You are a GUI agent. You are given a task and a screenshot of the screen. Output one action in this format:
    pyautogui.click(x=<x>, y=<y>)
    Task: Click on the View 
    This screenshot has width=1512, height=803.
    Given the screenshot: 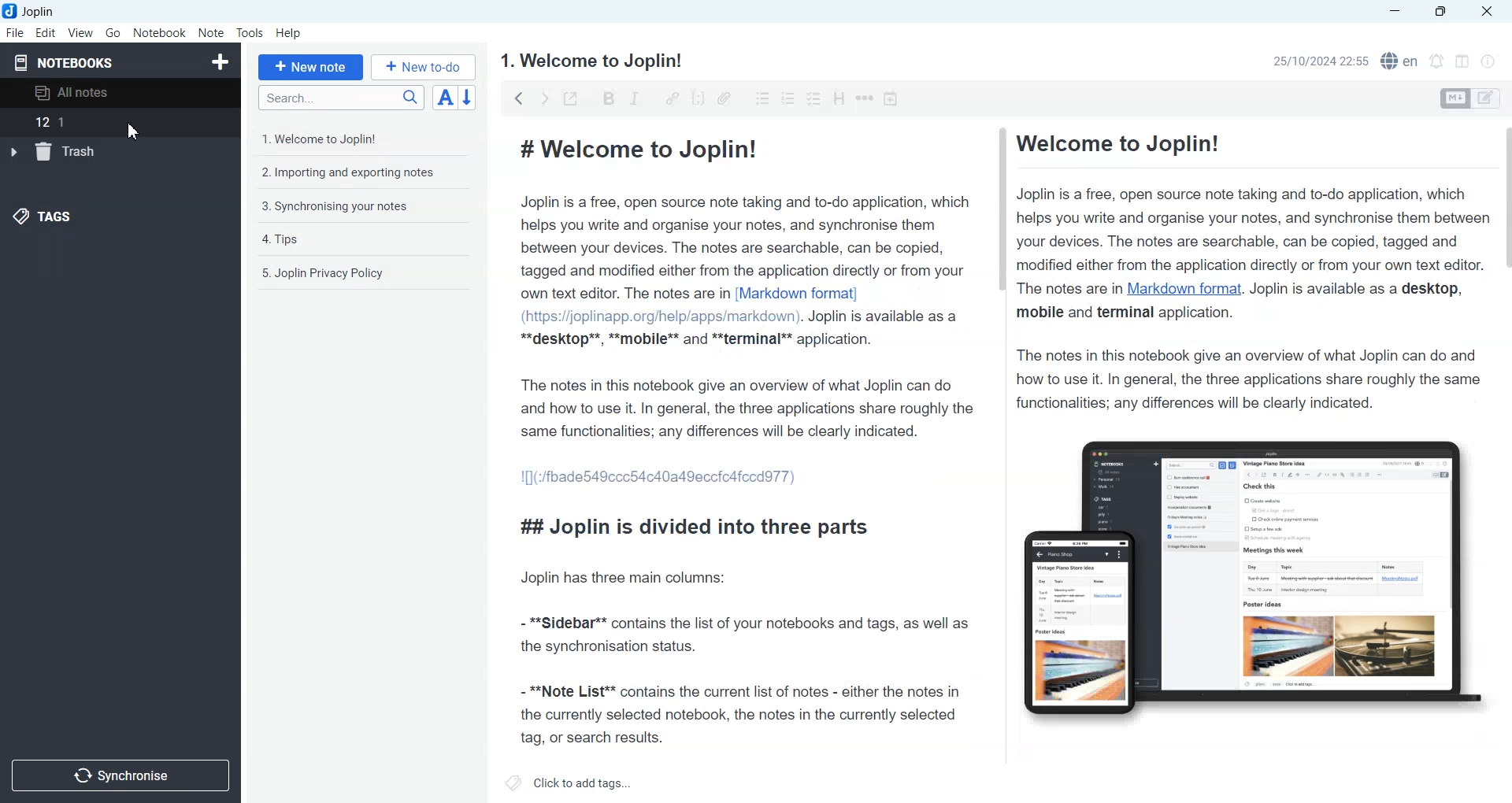 What is the action you would take?
    pyautogui.click(x=80, y=32)
    